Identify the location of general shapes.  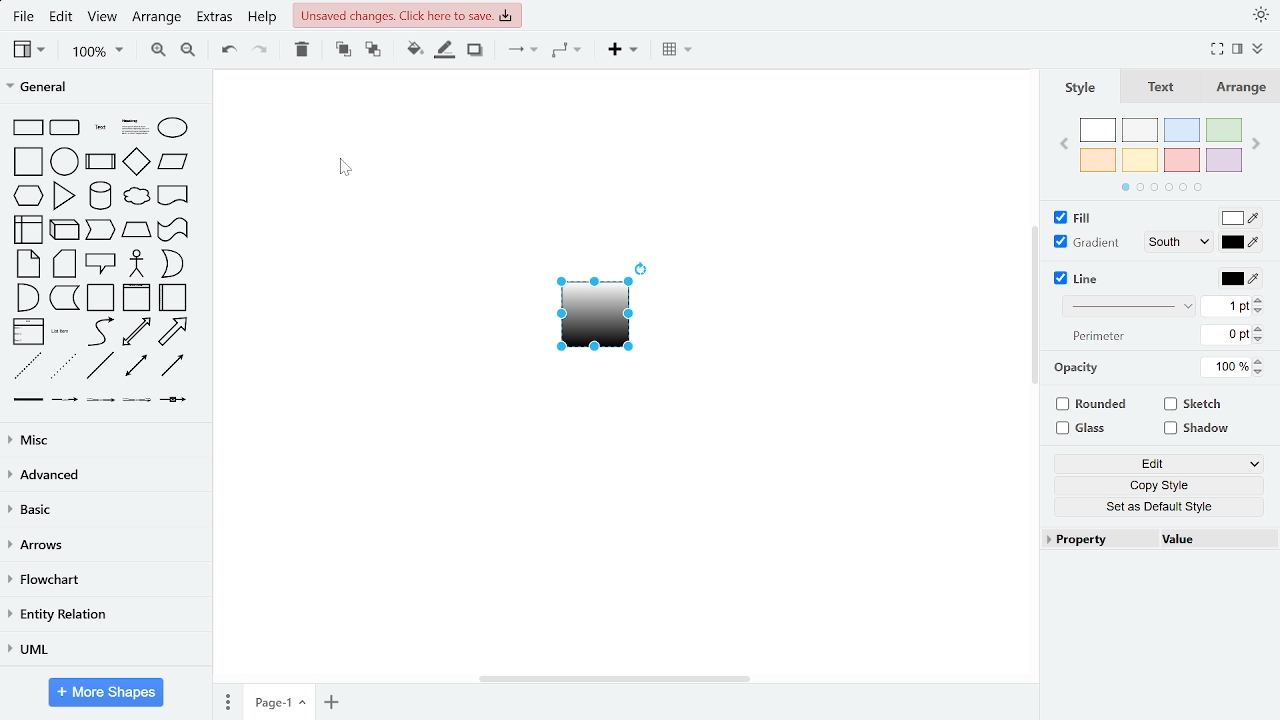
(64, 296).